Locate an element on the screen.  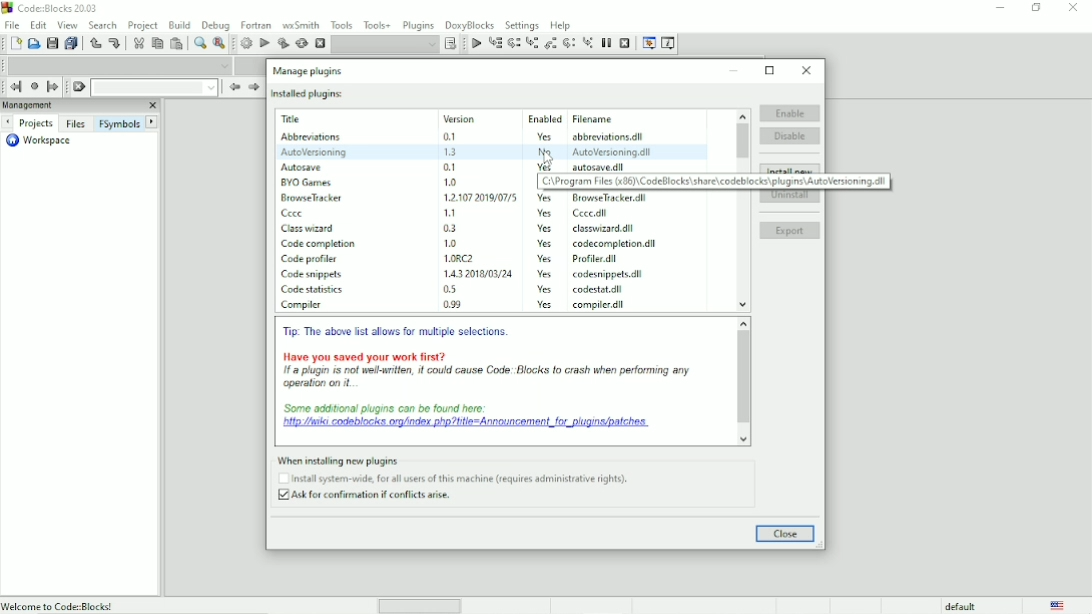
Restore down is located at coordinates (1037, 8).